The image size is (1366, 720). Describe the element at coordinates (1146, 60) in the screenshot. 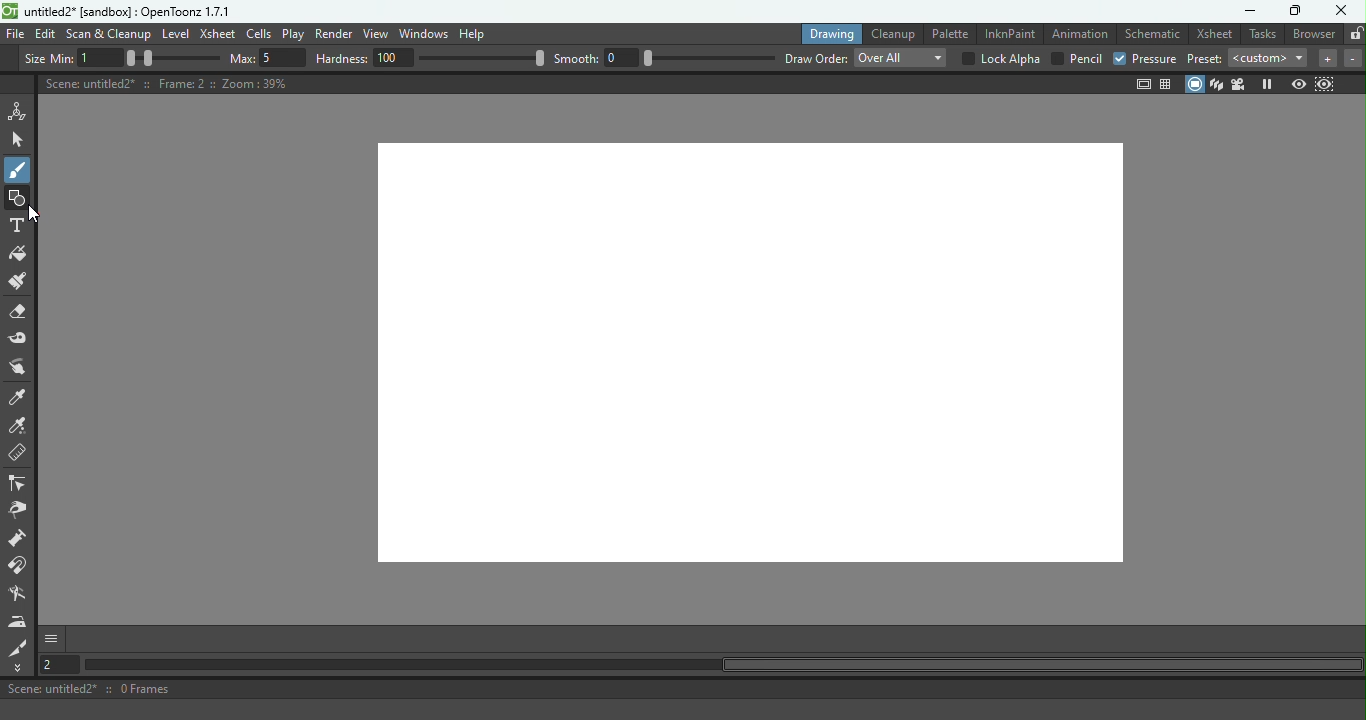

I see `Pressure` at that location.